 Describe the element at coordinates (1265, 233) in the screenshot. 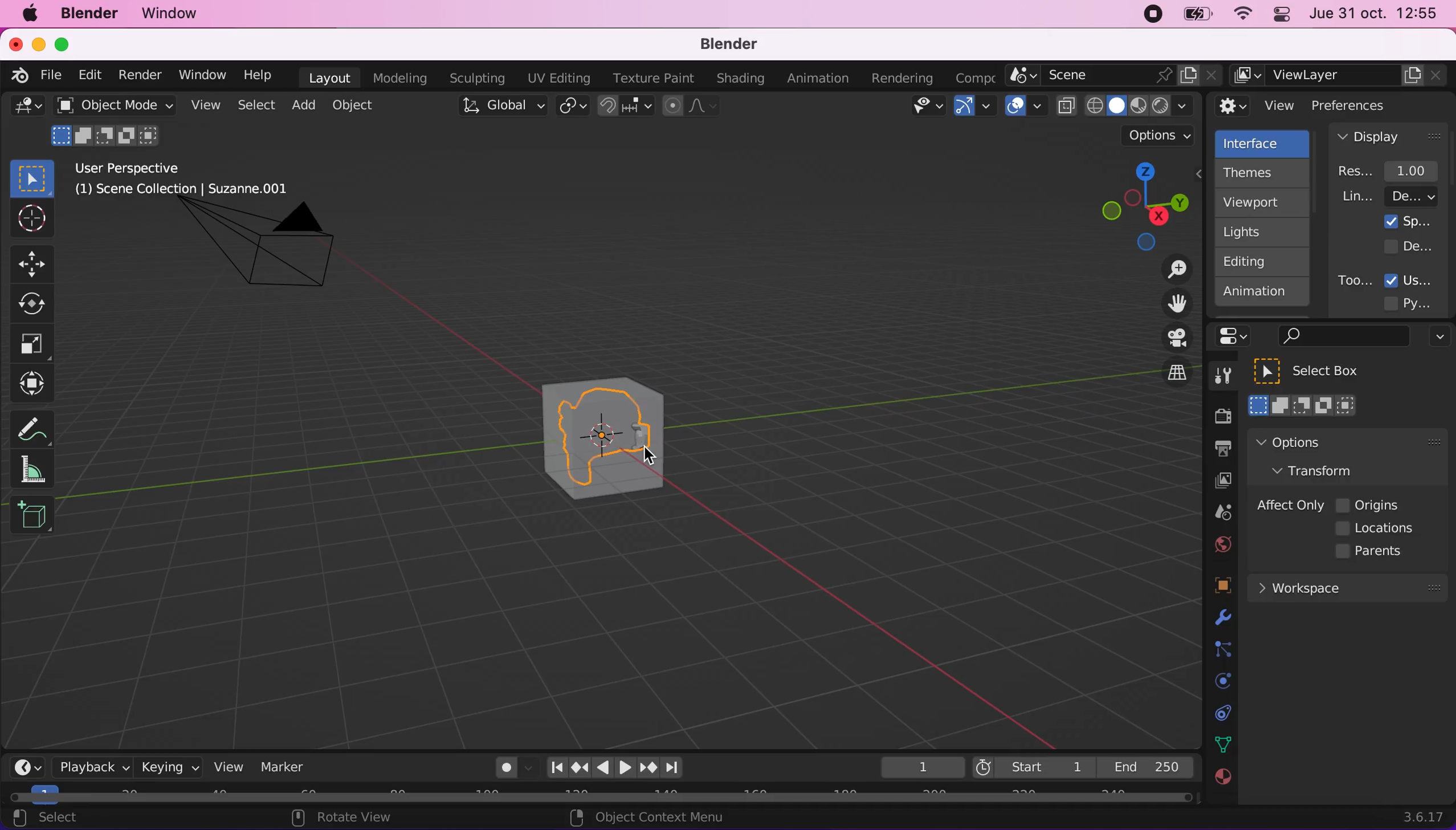

I see `lights` at that location.